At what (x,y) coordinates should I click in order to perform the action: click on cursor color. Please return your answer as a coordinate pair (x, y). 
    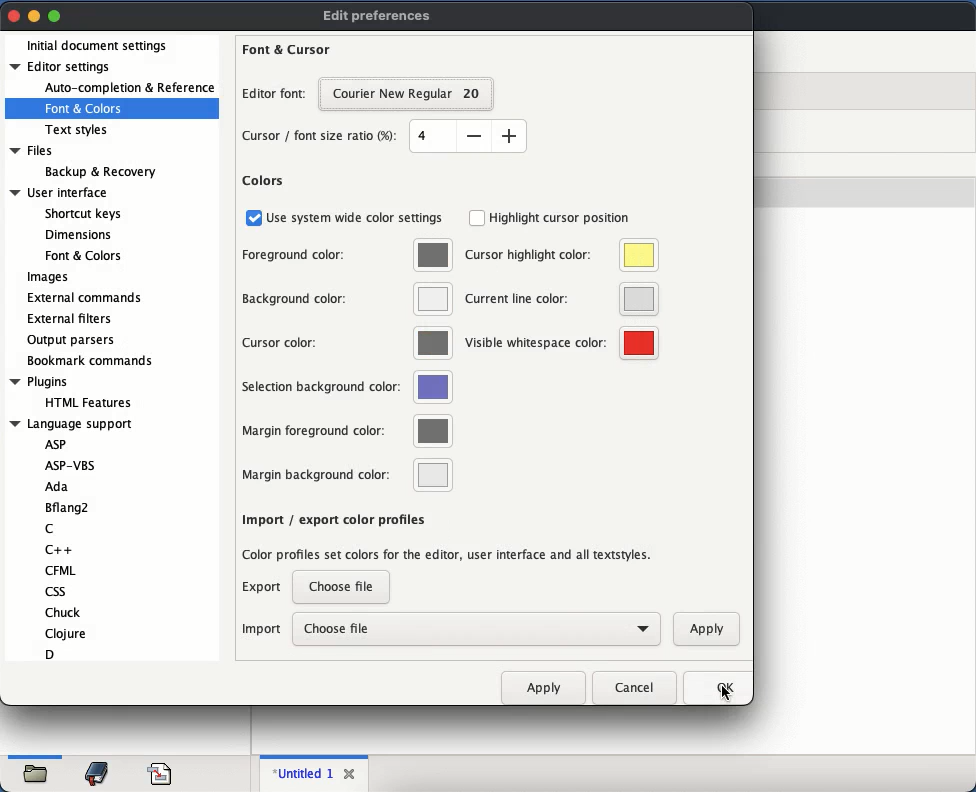
    Looking at the image, I should click on (328, 344).